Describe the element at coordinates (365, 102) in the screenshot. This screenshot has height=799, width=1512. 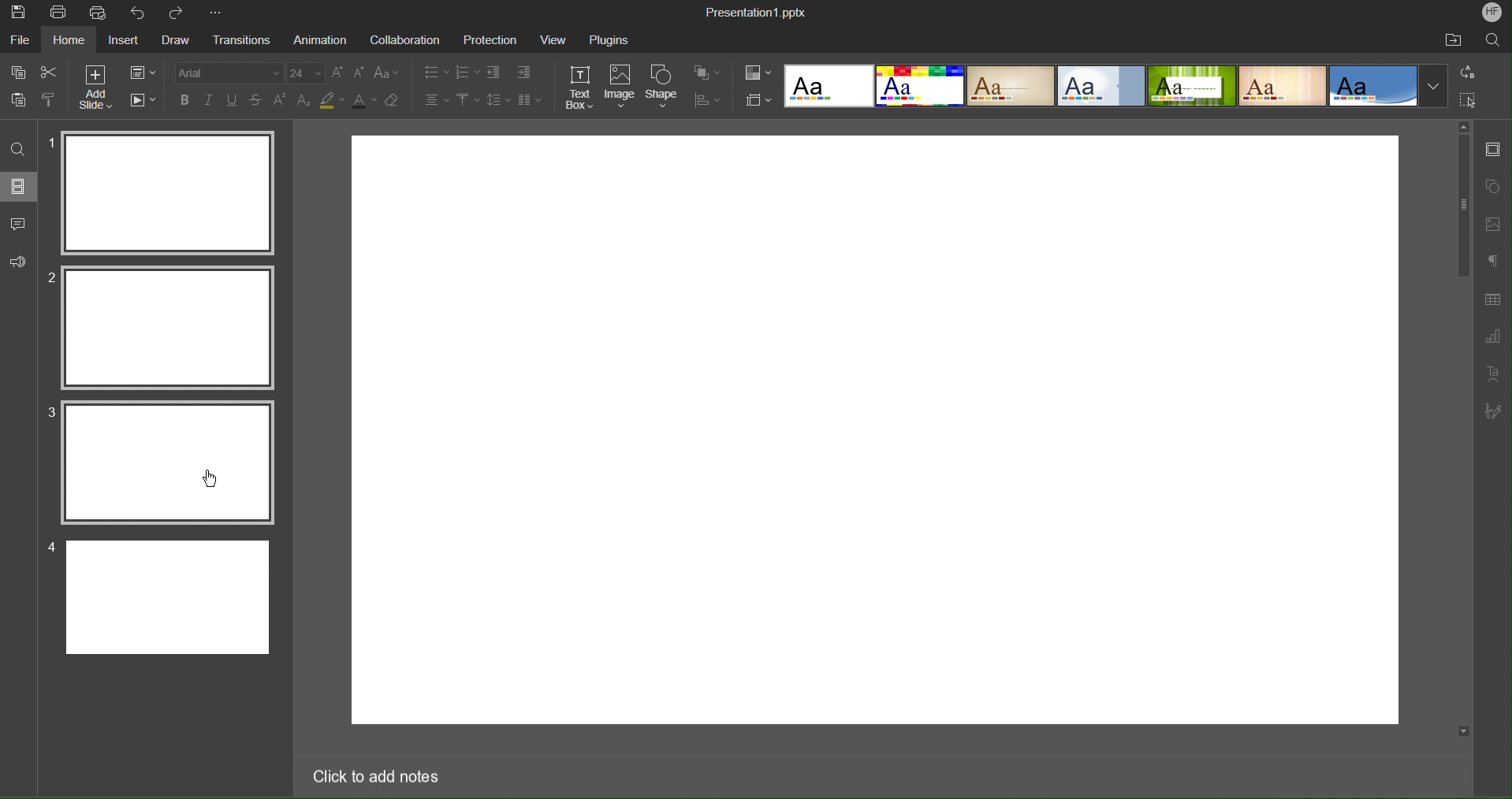
I see `font color` at that location.